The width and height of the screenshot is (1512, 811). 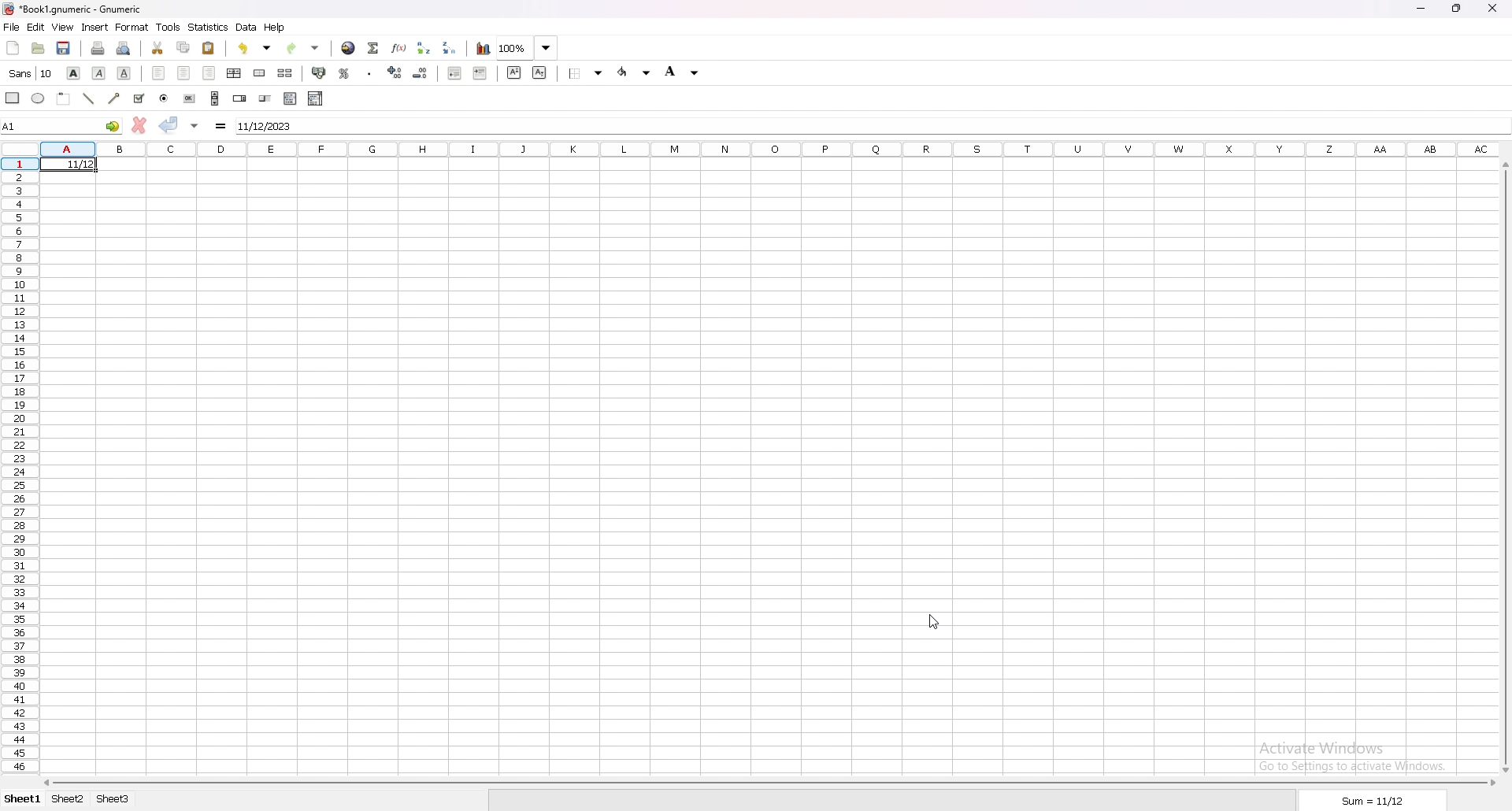 What do you see at coordinates (241, 98) in the screenshot?
I see `spin button` at bounding box center [241, 98].